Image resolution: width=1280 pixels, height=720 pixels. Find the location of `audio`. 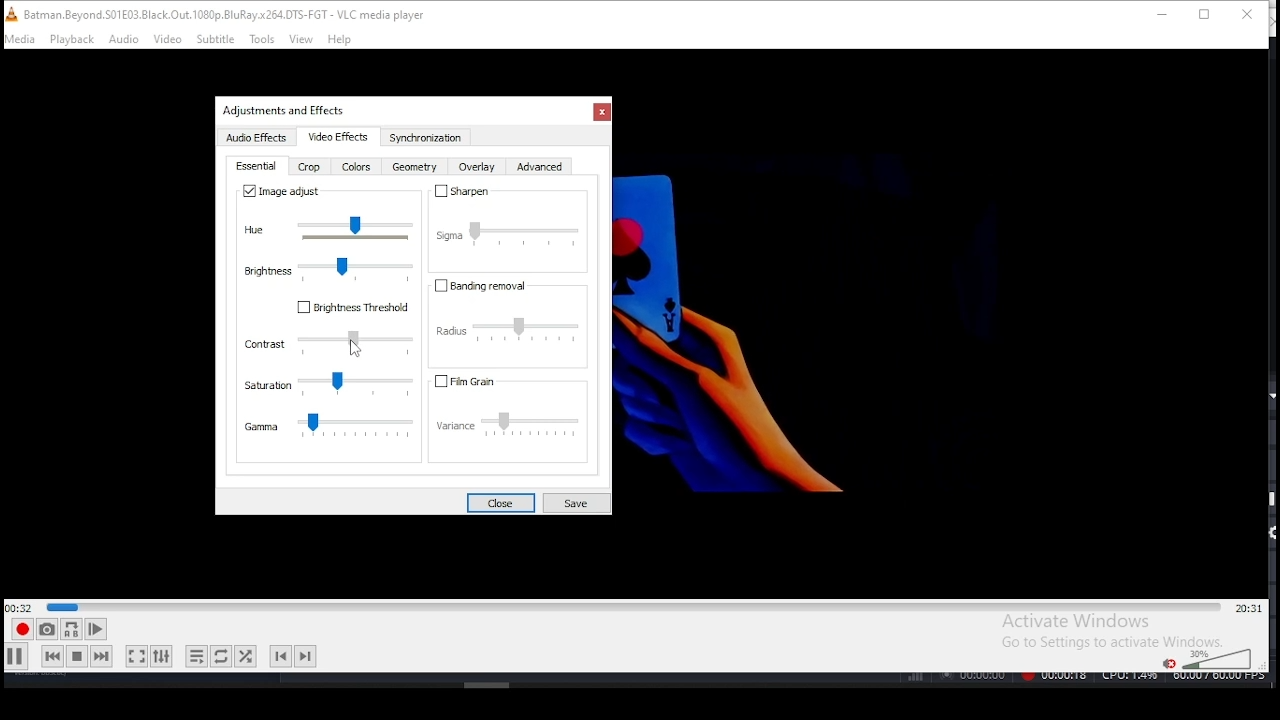

audio is located at coordinates (125, 40).